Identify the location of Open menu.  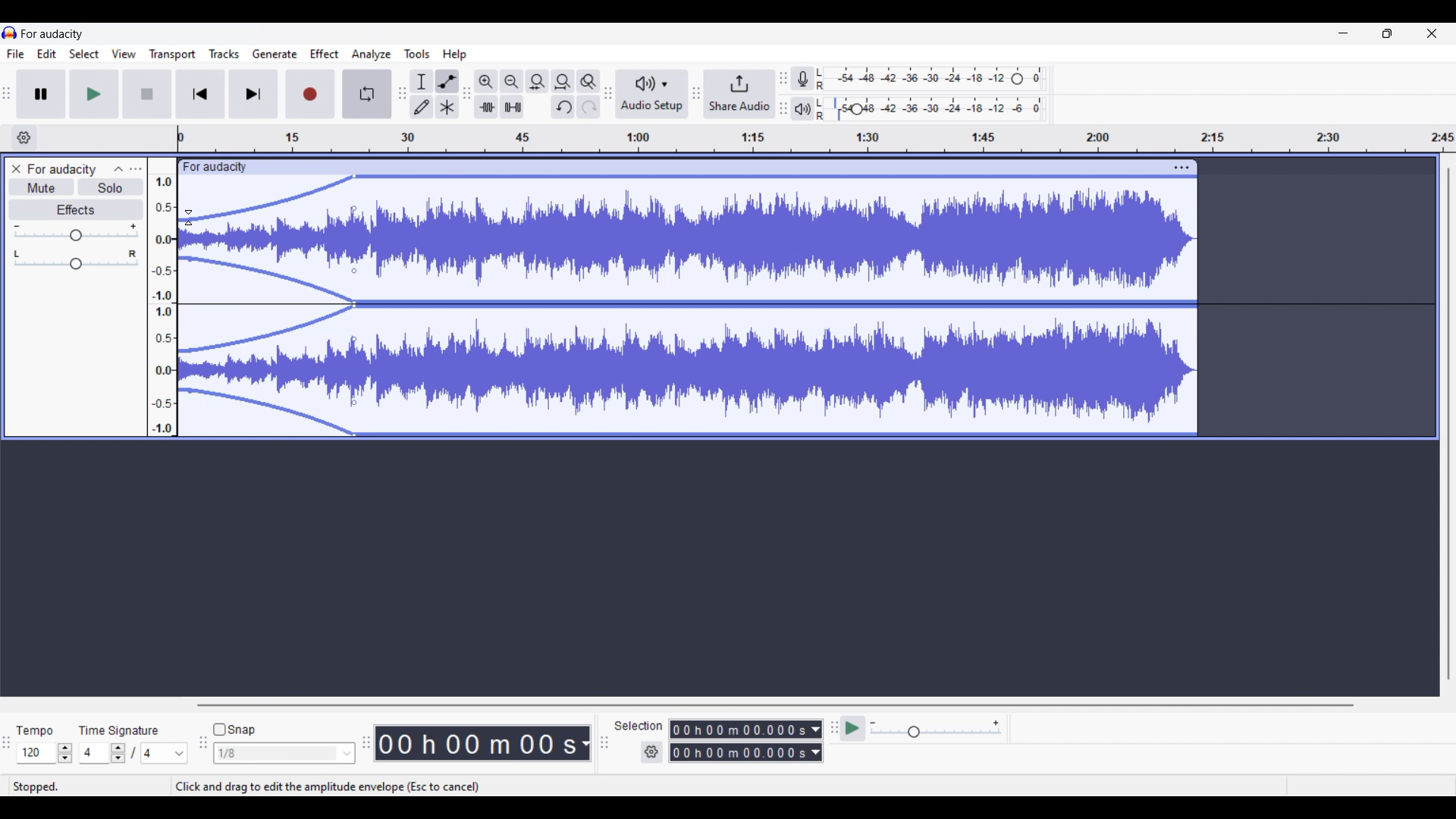
(136, 169).